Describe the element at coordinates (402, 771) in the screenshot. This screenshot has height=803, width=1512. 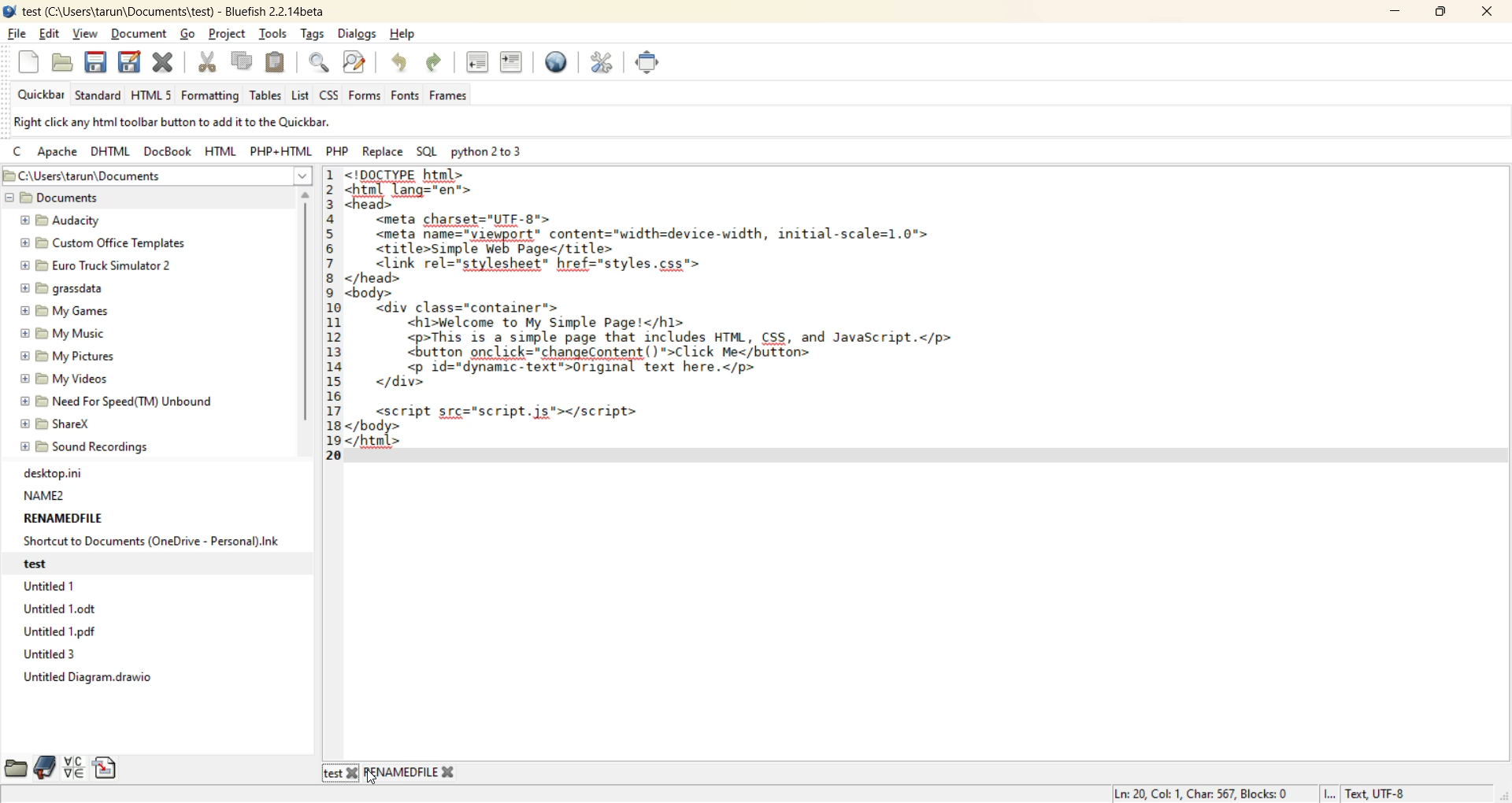
I see `renamedfile` at that location.